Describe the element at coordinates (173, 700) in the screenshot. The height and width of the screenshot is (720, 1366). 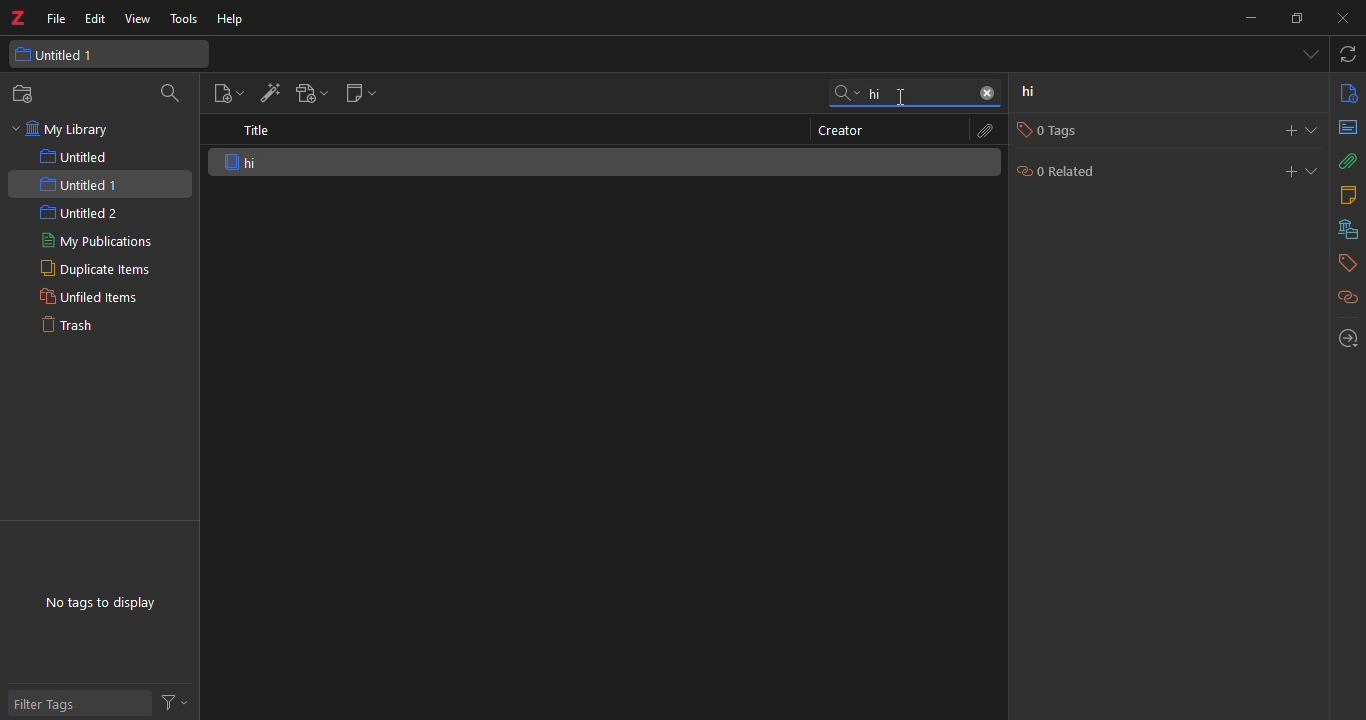
I see `actions` at that location.